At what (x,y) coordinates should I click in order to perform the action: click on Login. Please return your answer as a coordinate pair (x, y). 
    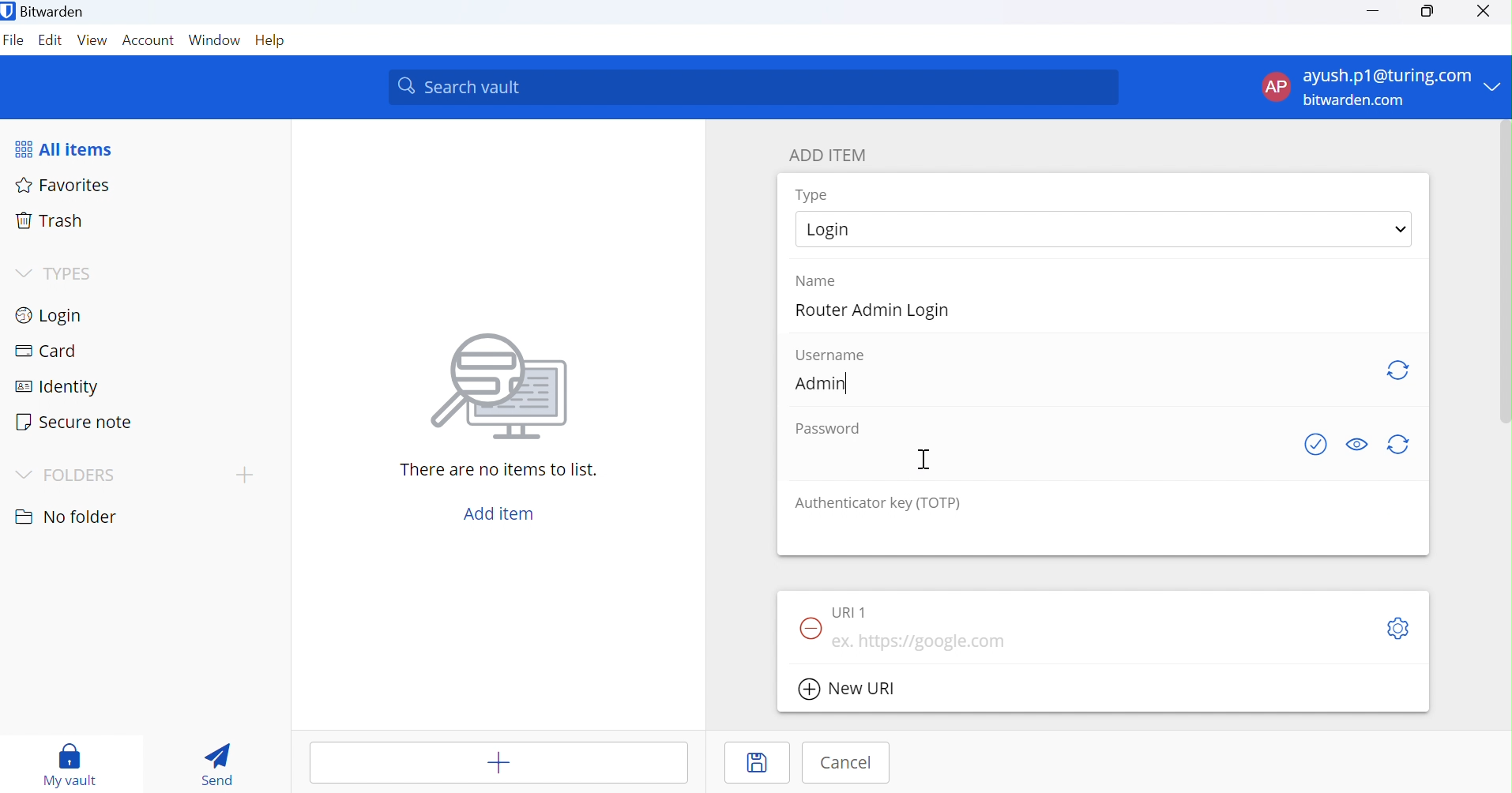
    Looking at the image, I should click on (55, 314).